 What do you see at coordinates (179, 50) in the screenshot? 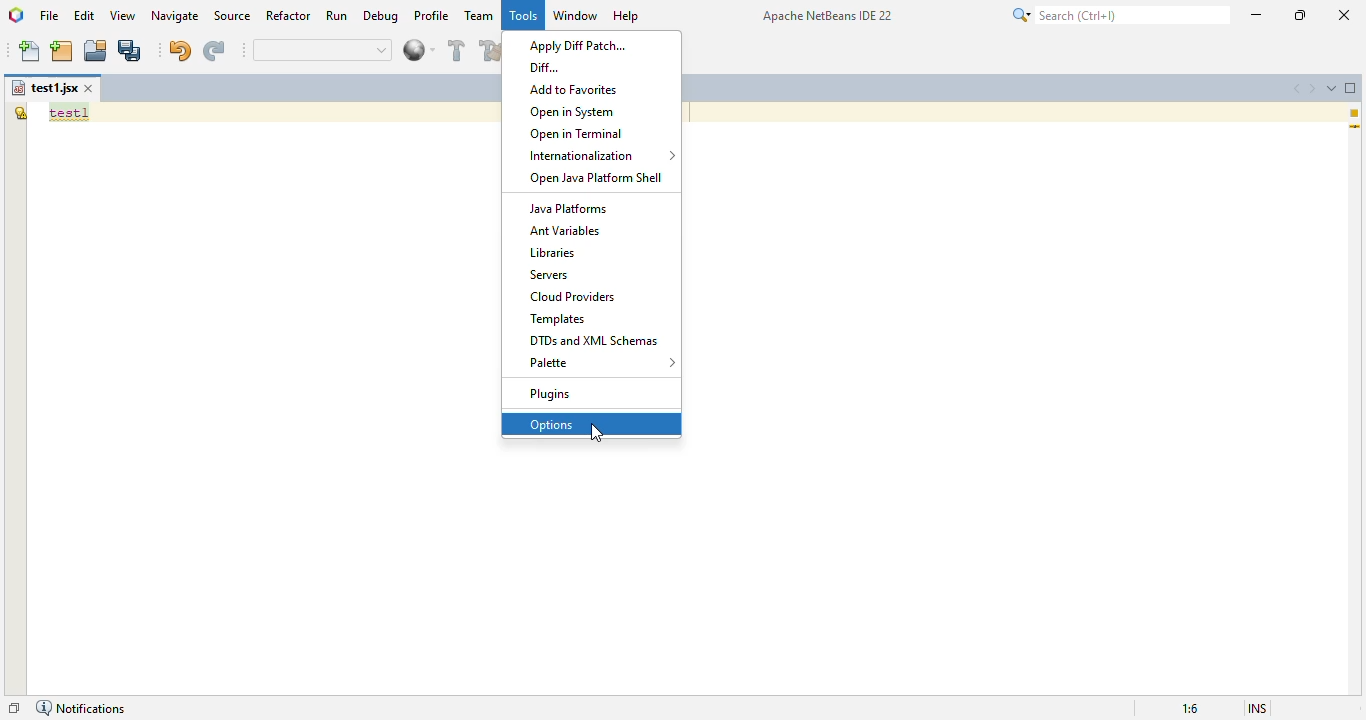
I see `undo` at bounding box center [179, 50].